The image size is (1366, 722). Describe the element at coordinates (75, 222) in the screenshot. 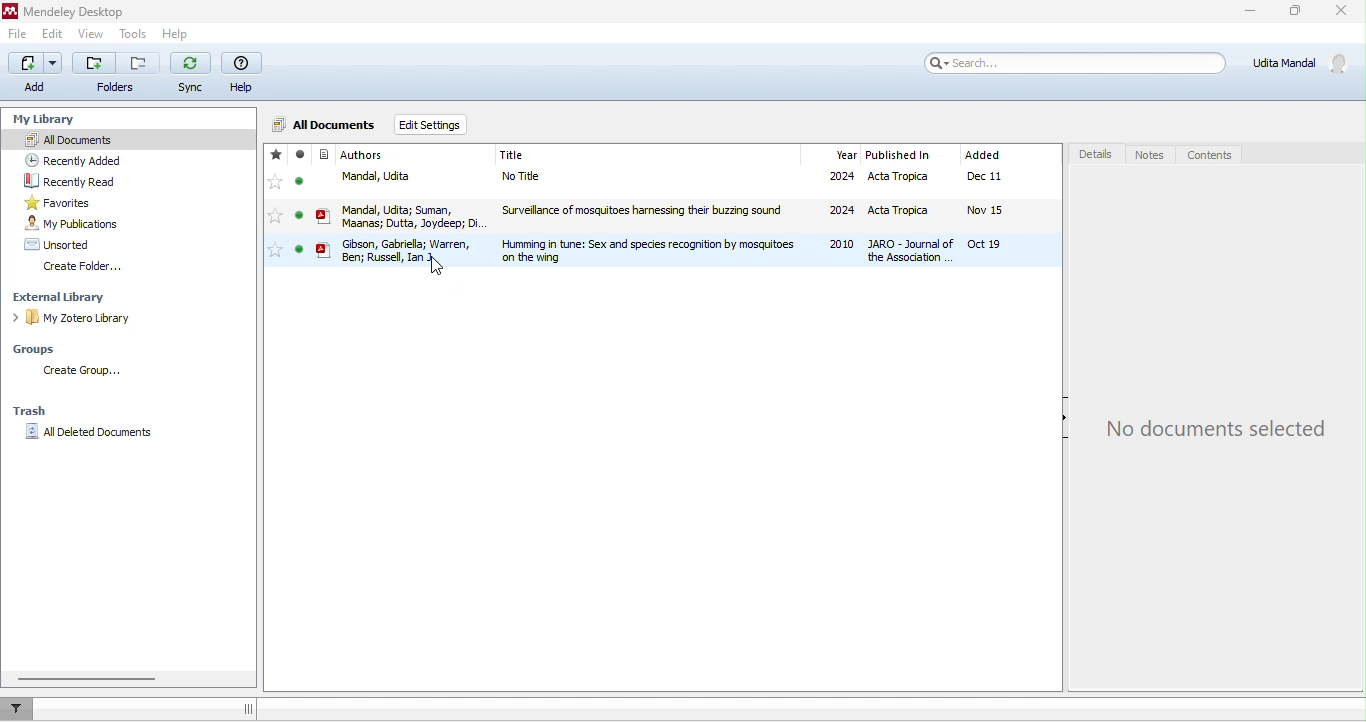

I see `my publications` at that location.